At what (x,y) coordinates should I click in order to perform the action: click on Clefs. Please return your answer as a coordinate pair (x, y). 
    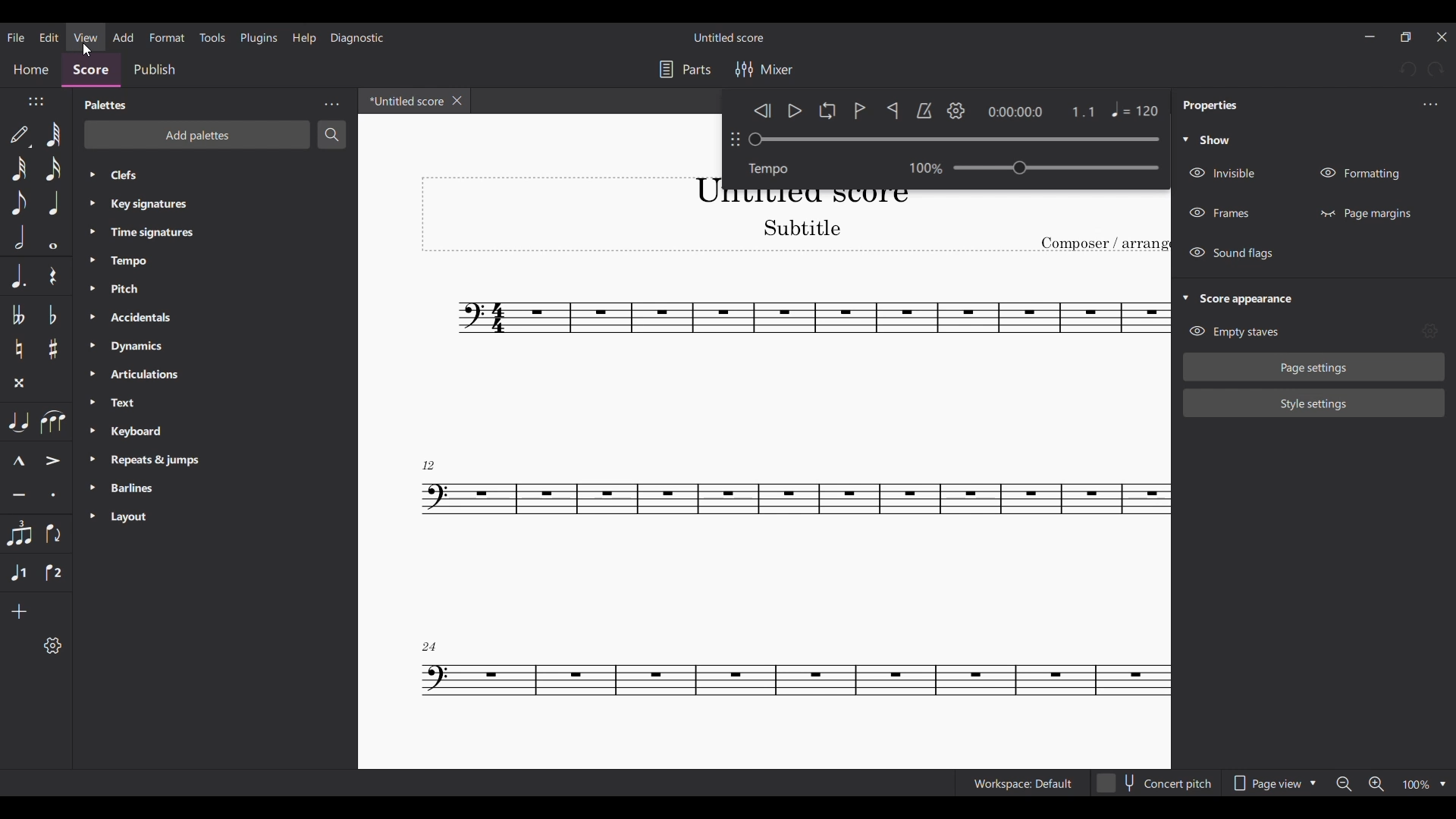
    Looking at the image, I should click on (202, 175).